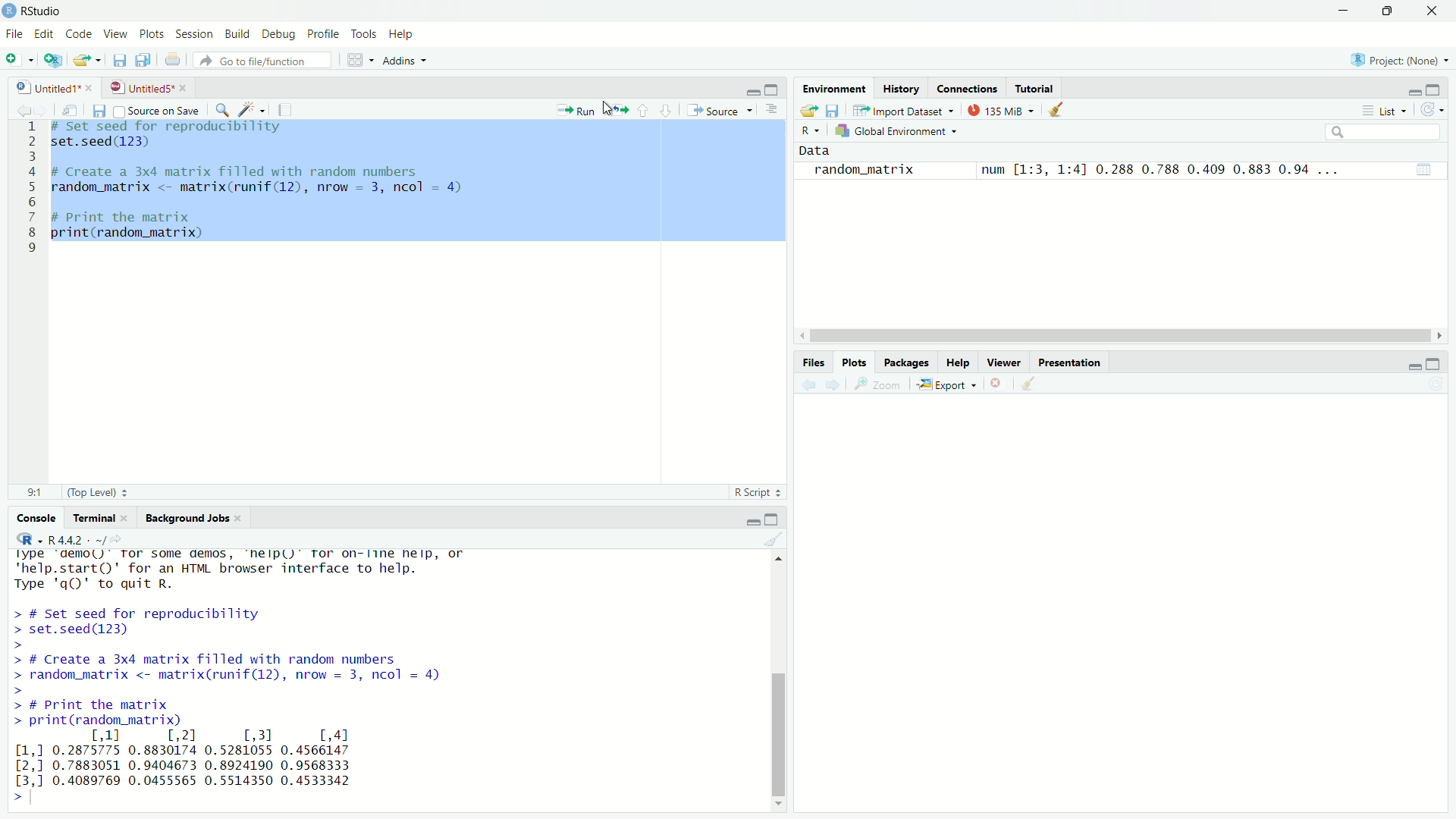 The width and height of the screenshot is (1456, 819). What do you see at coordinates (1003, 111) in the screenshot?
I see `134 MiB +` at bounding box center [1003, 111].